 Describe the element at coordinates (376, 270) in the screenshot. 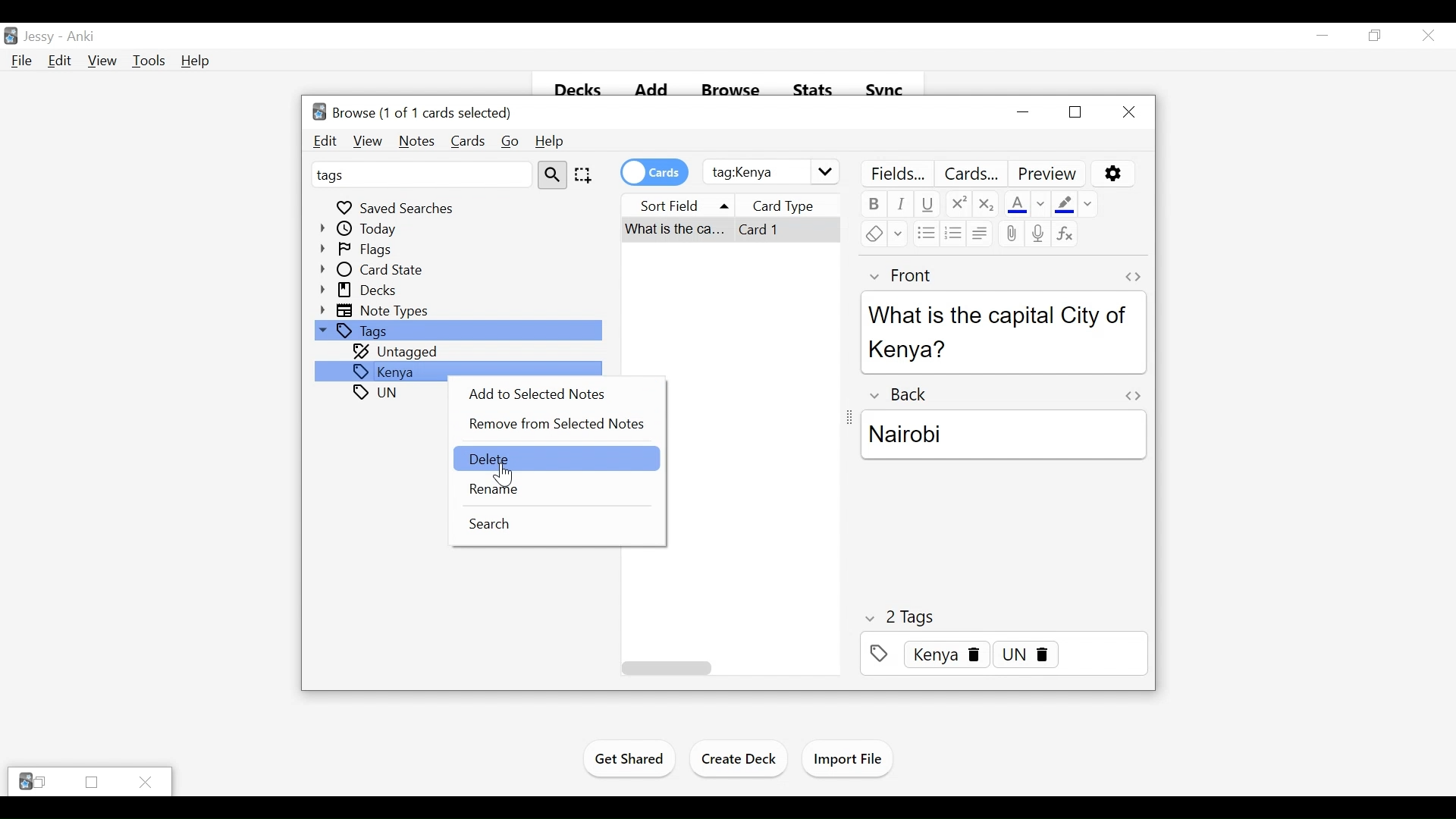

I see `Card State` at that location.